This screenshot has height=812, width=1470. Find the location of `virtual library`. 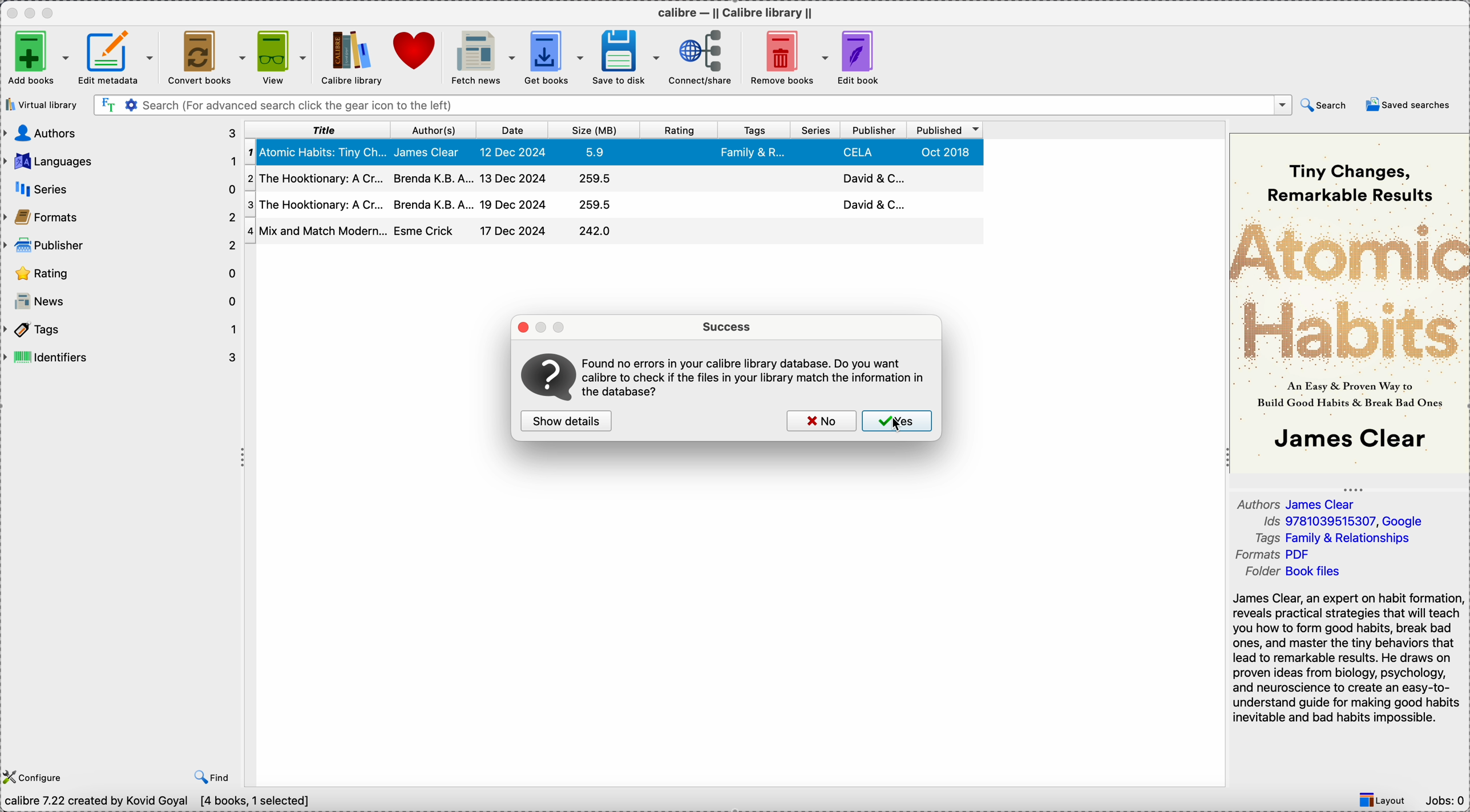

virtual library is located at coordinates (41, 104).